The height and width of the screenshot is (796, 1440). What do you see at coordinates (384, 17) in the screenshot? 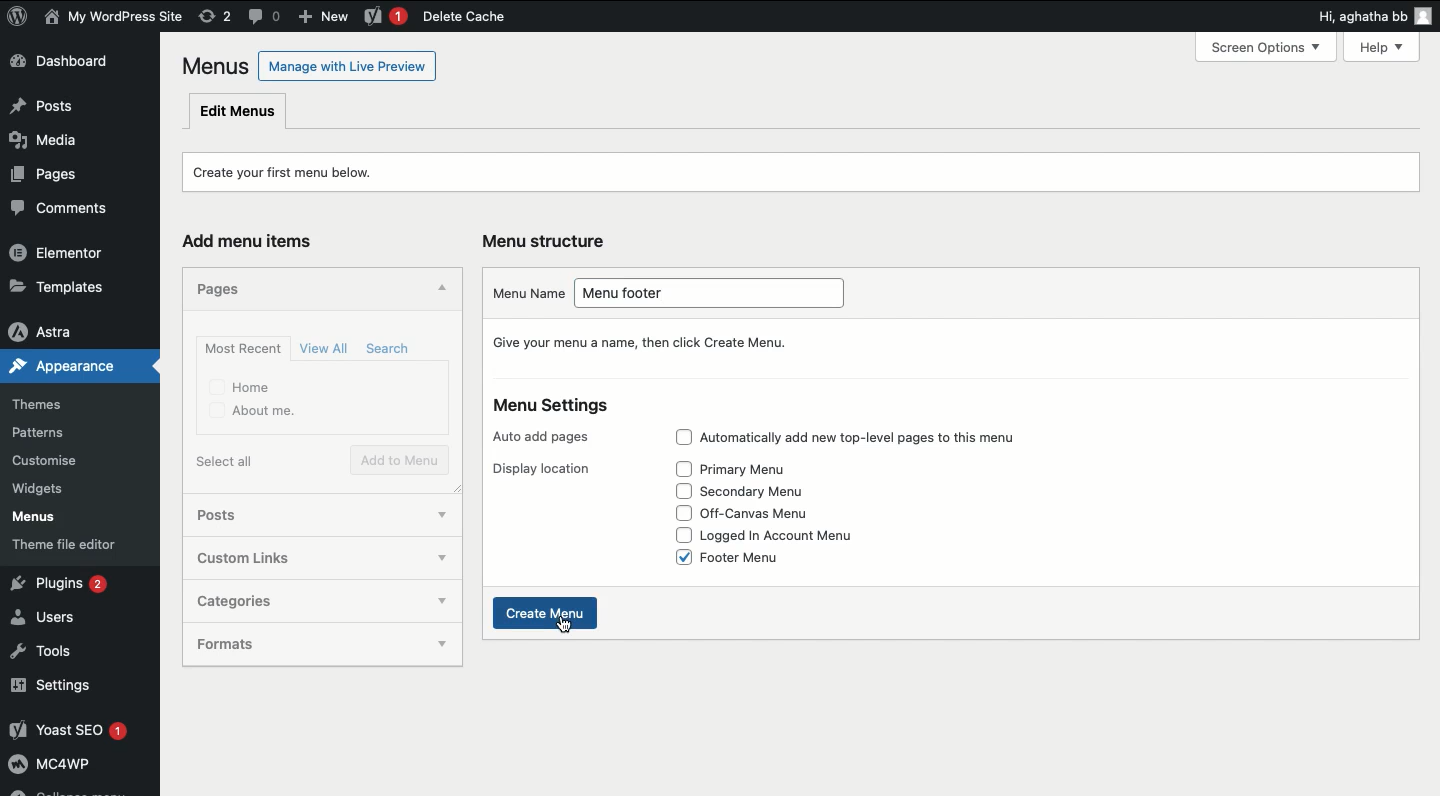
I see `Yoast` at bounding box center [384, 17].